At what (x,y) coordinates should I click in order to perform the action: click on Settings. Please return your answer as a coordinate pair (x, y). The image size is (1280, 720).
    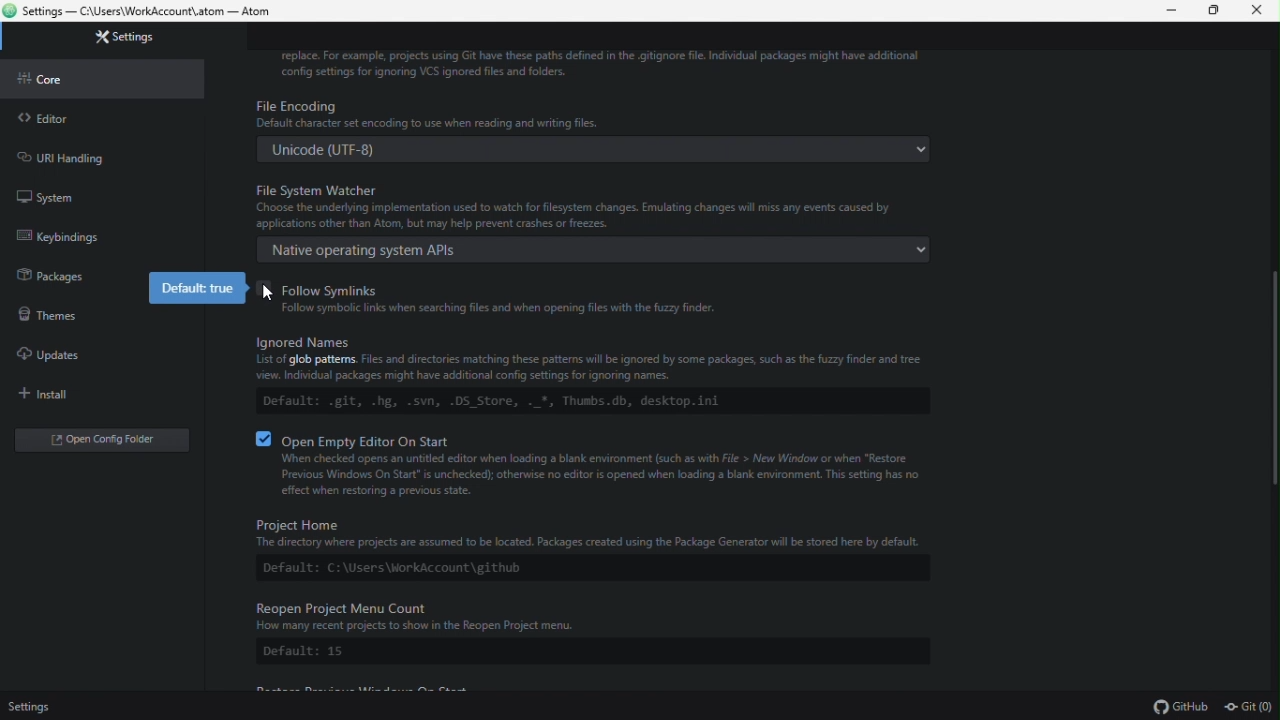
    Looking at the image, I should click on (132, 38).